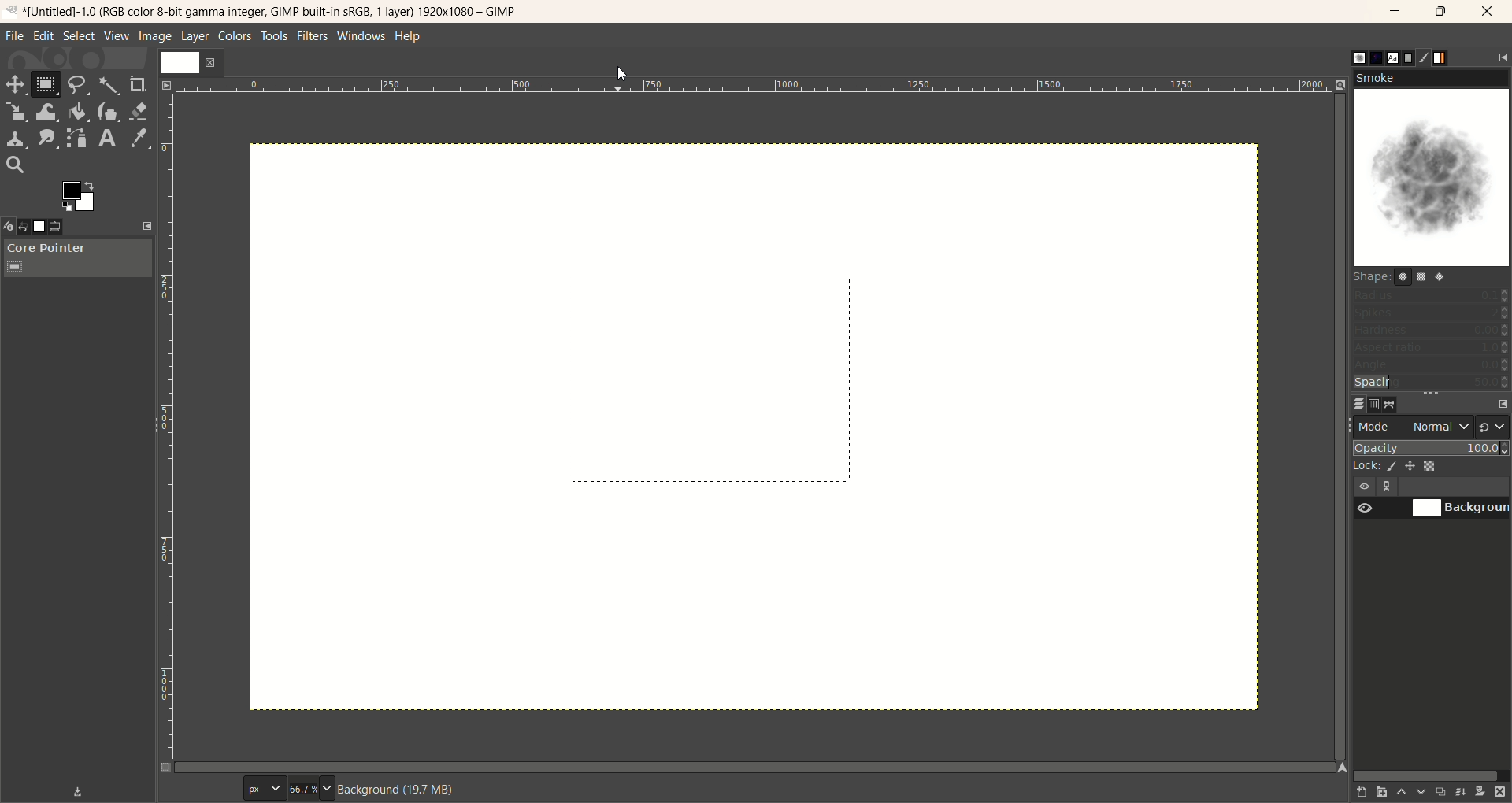 Image resolution: width=1512 pixels, height=803 pixels. Describe the element at coordinates (1489, 12) in the screenshot. I see `close` at that location.